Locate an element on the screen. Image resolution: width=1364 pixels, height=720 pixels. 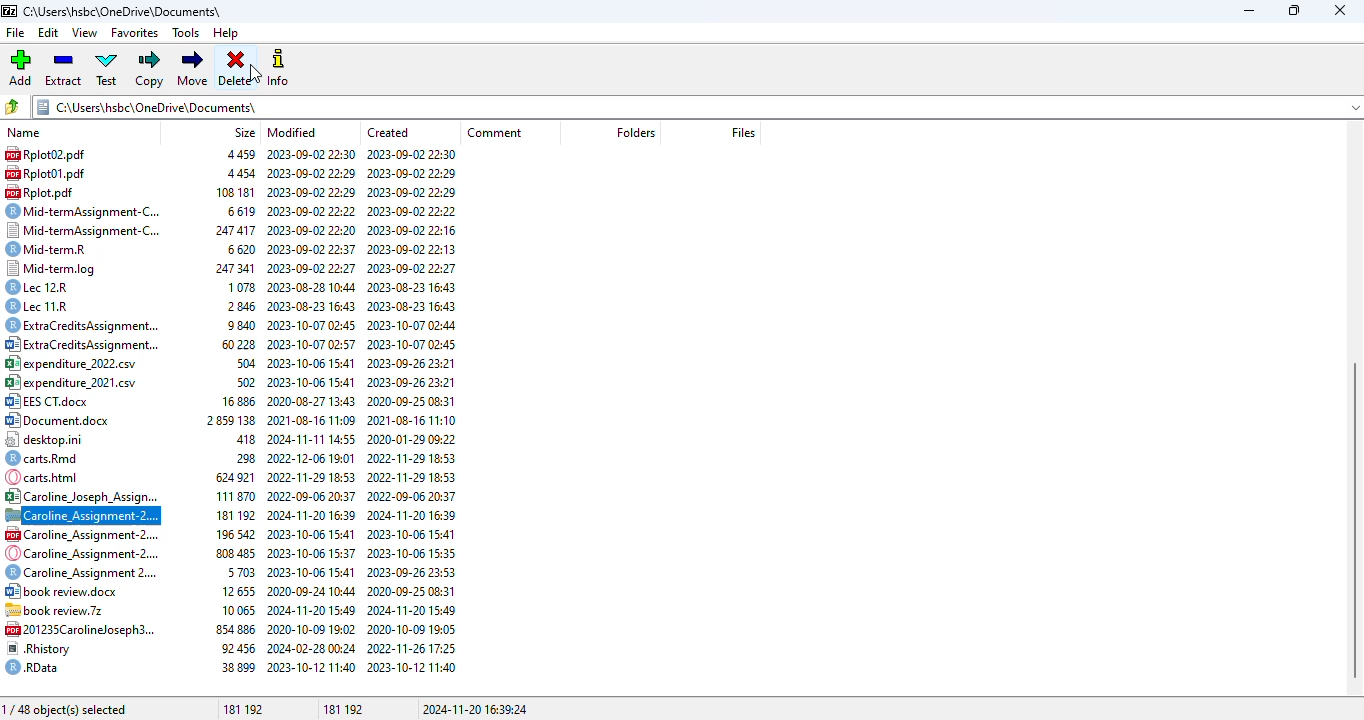
© RData is located at coordinates (37, 667).